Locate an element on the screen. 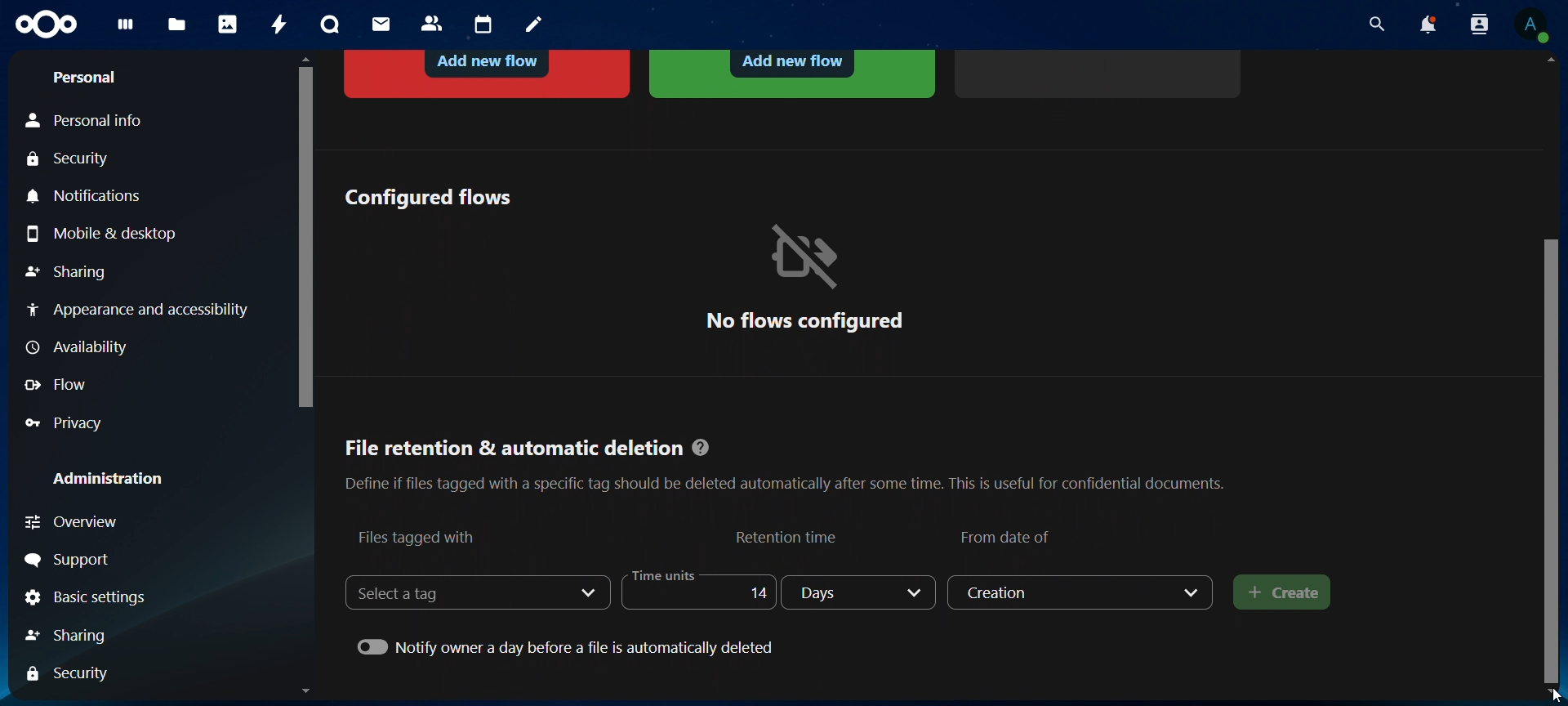 This screenshot has height=706, width=1568. retention time is located at coordinates (789, 537).